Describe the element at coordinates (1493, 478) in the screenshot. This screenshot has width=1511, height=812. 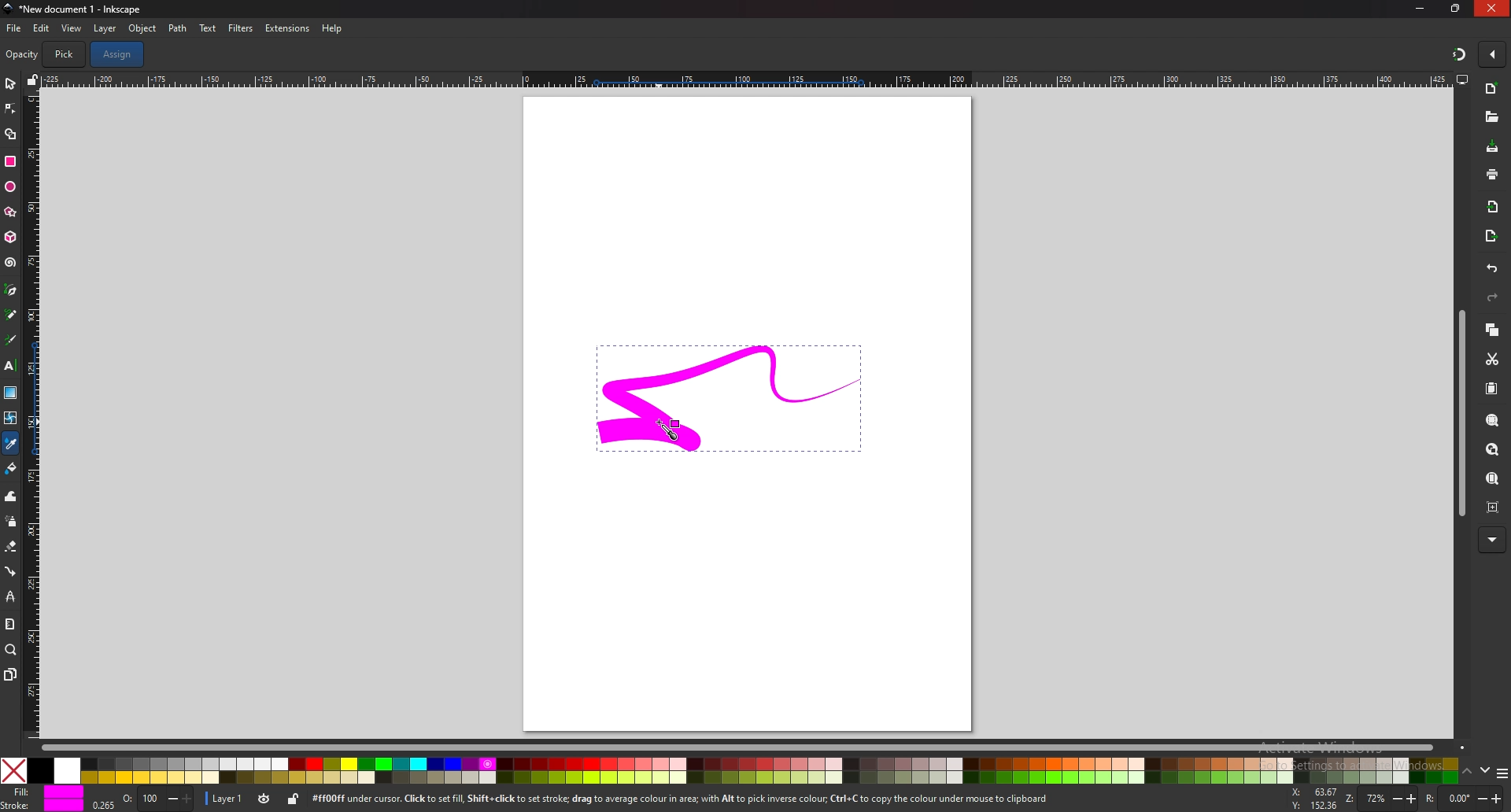
I see `zoom page` at that location.